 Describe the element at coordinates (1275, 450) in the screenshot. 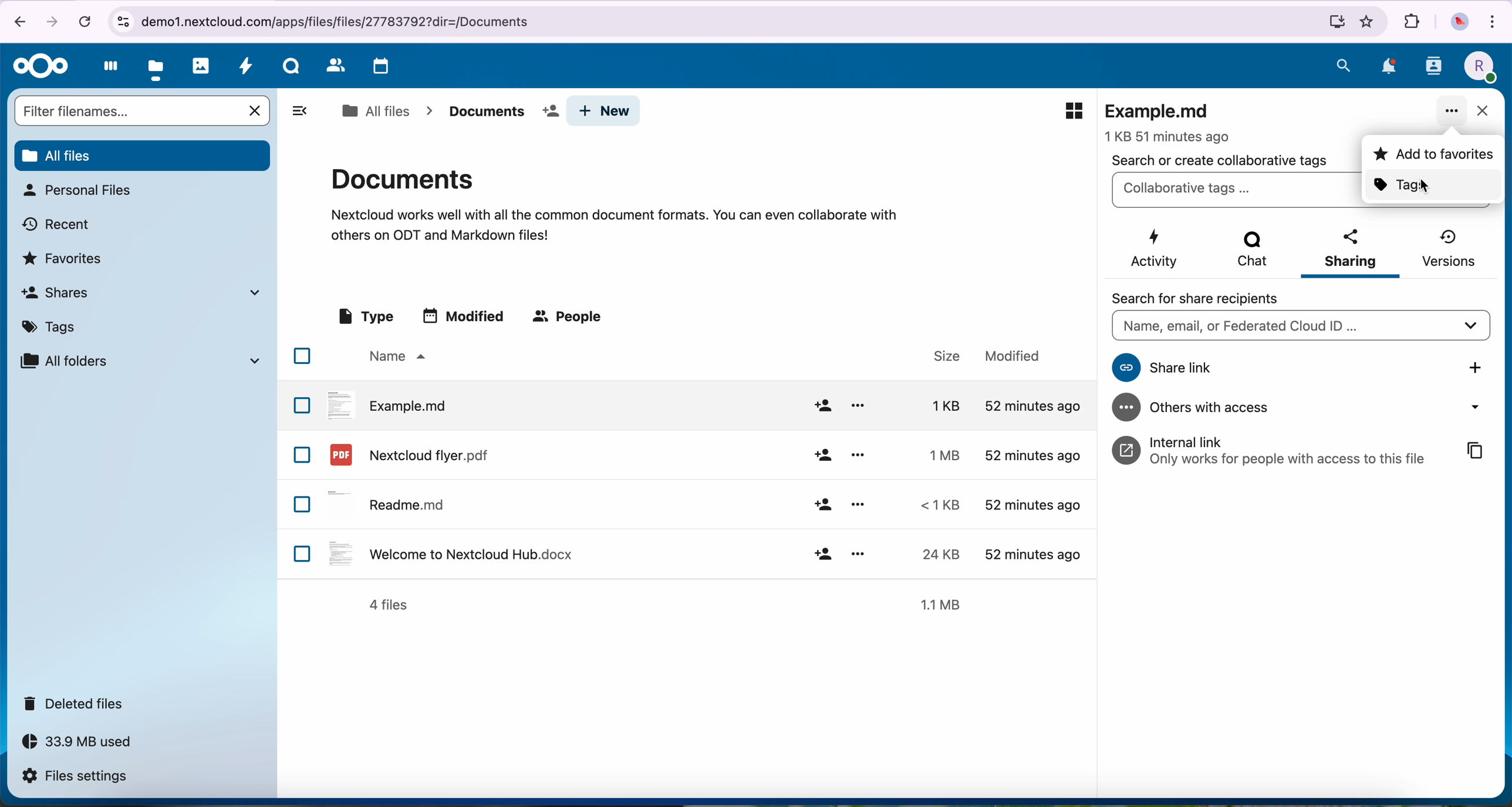

I see `internal link` at that location.